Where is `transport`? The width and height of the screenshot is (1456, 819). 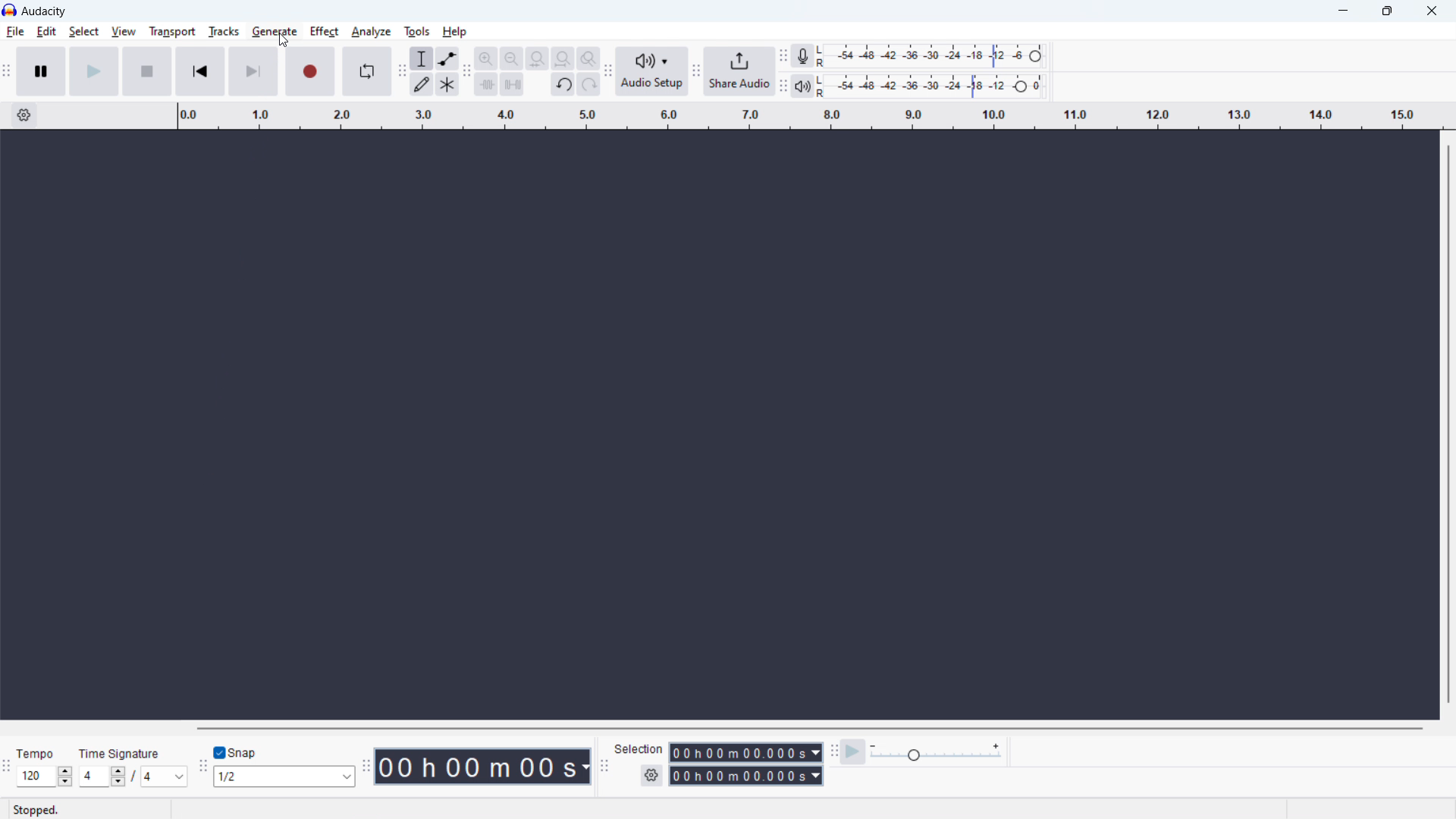
transport is located at coordinates (172, 31).